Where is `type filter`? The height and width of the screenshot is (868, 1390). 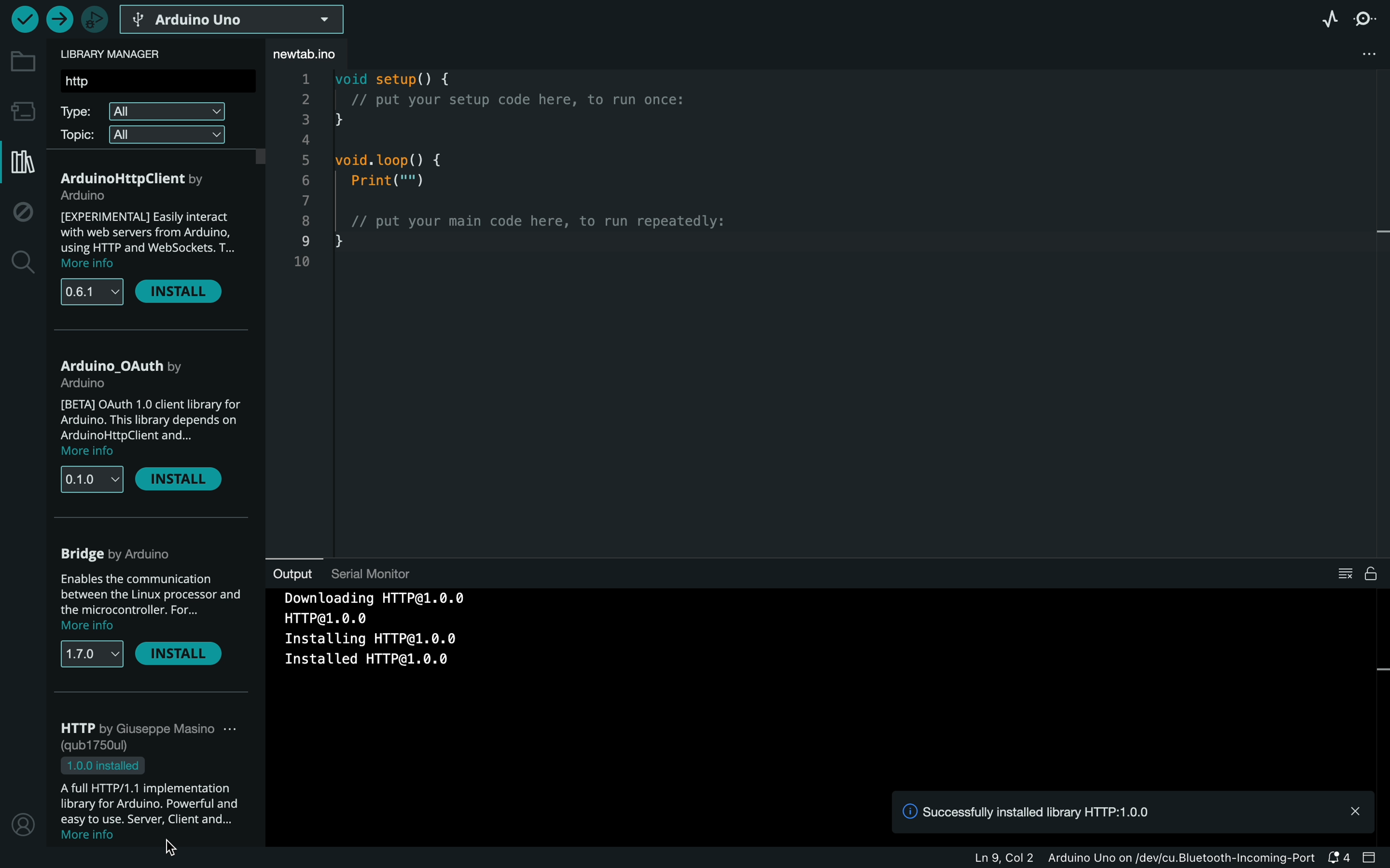
type filter is located at coordinates (143, 113).